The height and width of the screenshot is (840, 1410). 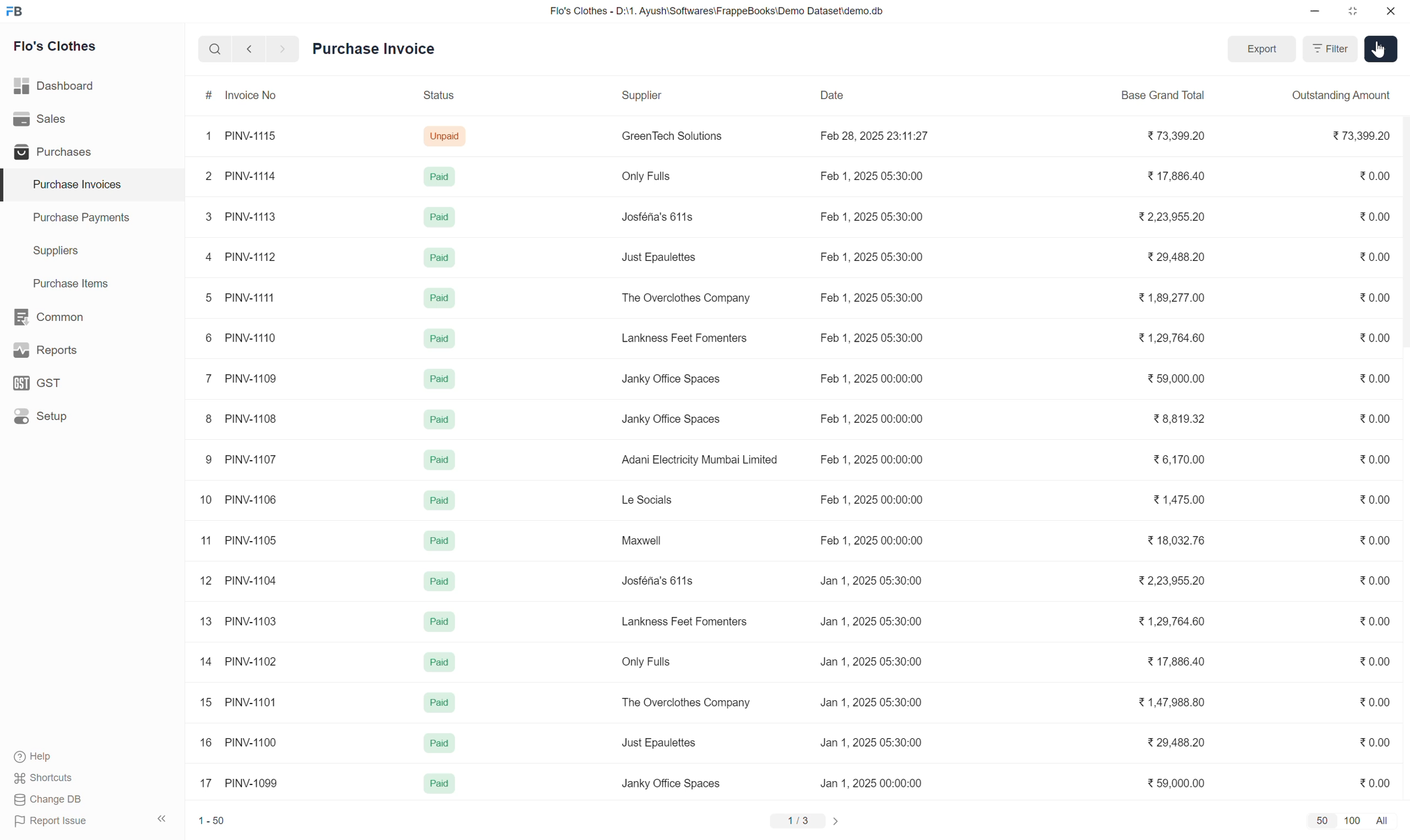 What do you see at coordinates (690, 339) in the screenshot?
I see `Lankness Feet Fomenters` at bounding box center [690, 339].